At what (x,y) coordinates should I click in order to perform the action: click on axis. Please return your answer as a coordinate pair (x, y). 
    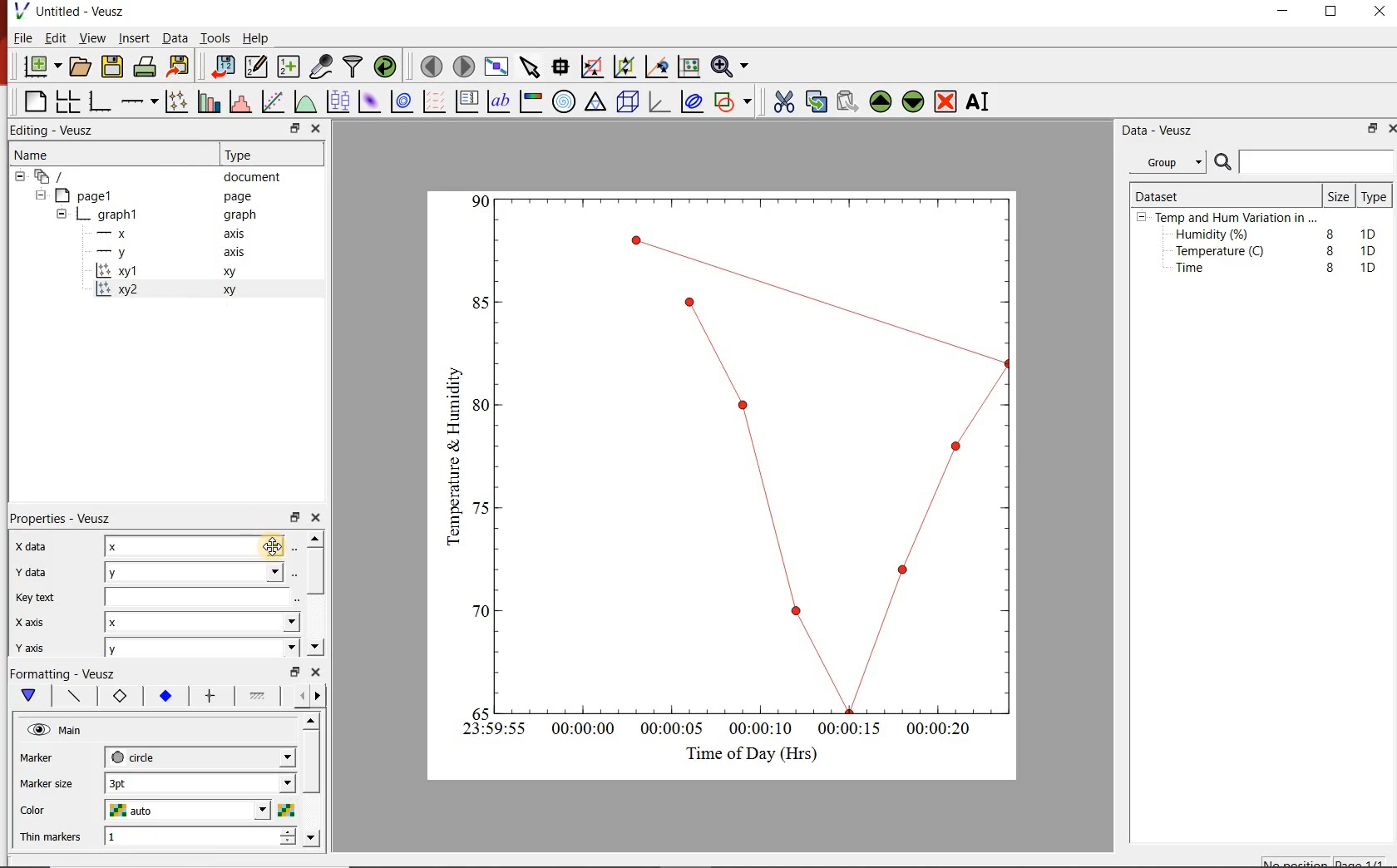
    Looking at the image, I should click on (239, 235).